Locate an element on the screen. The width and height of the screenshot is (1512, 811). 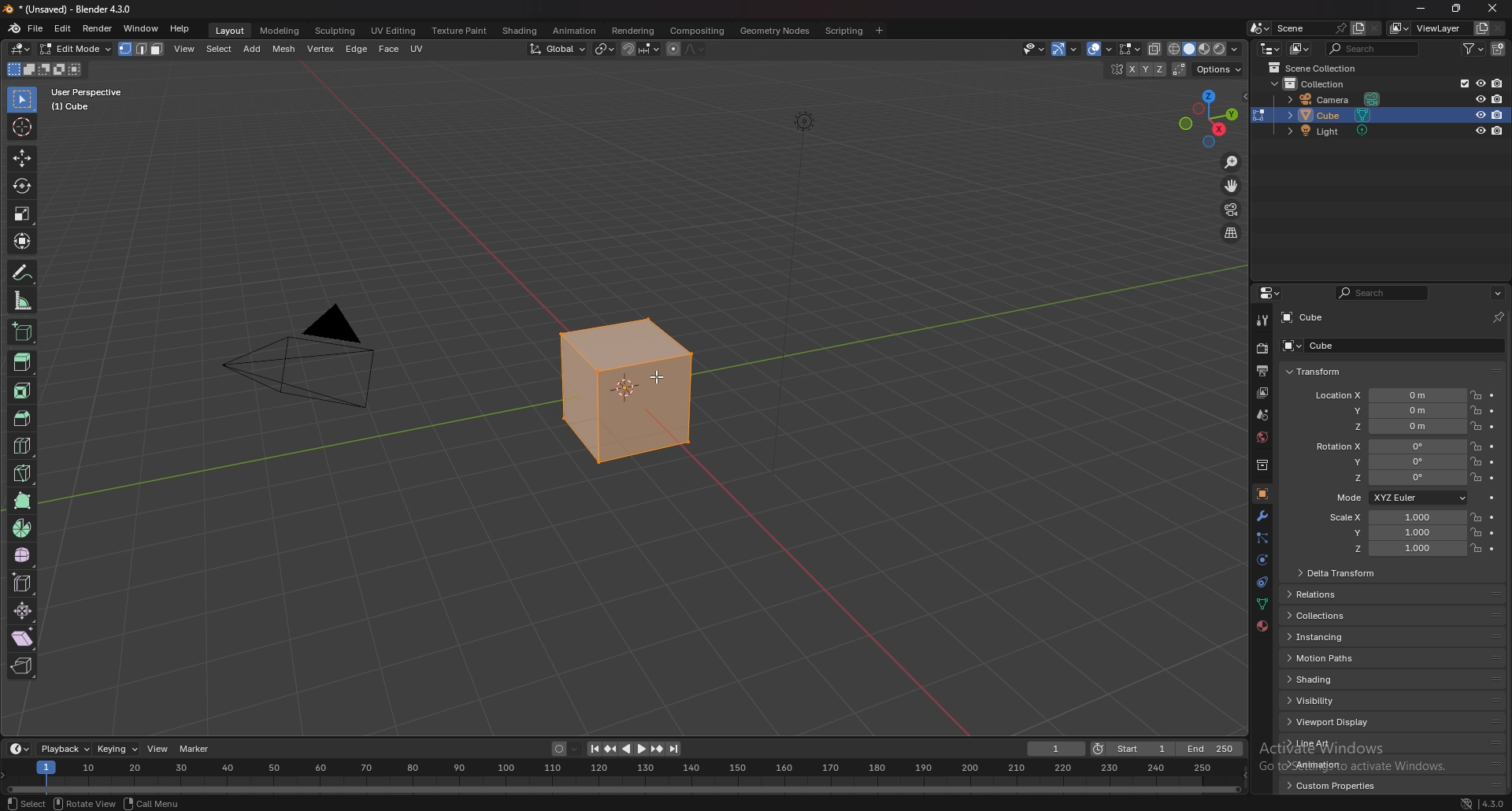
shading is located at coordinates (521, 31).